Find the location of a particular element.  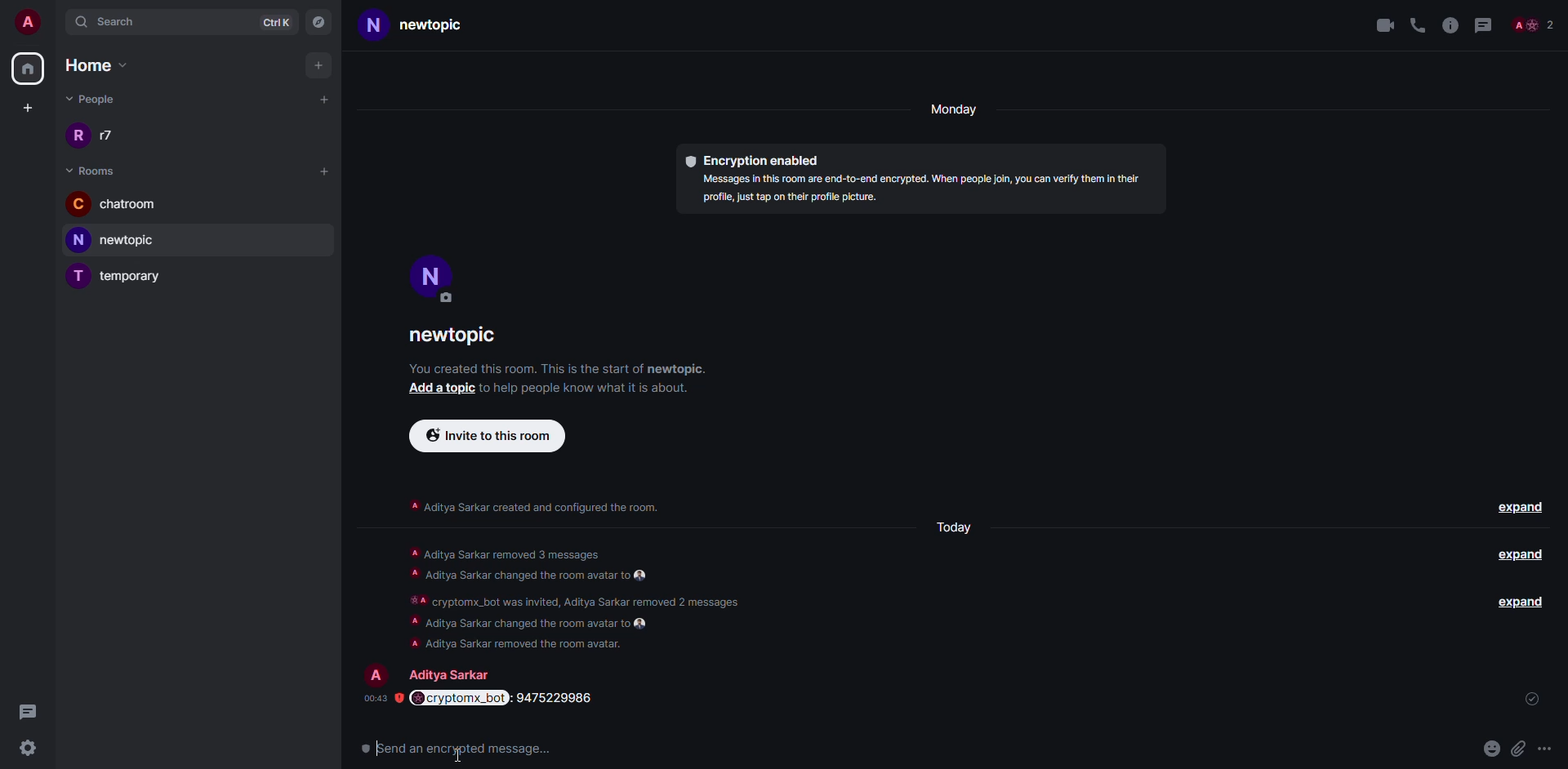

threads is located at coordinates (28, 711).